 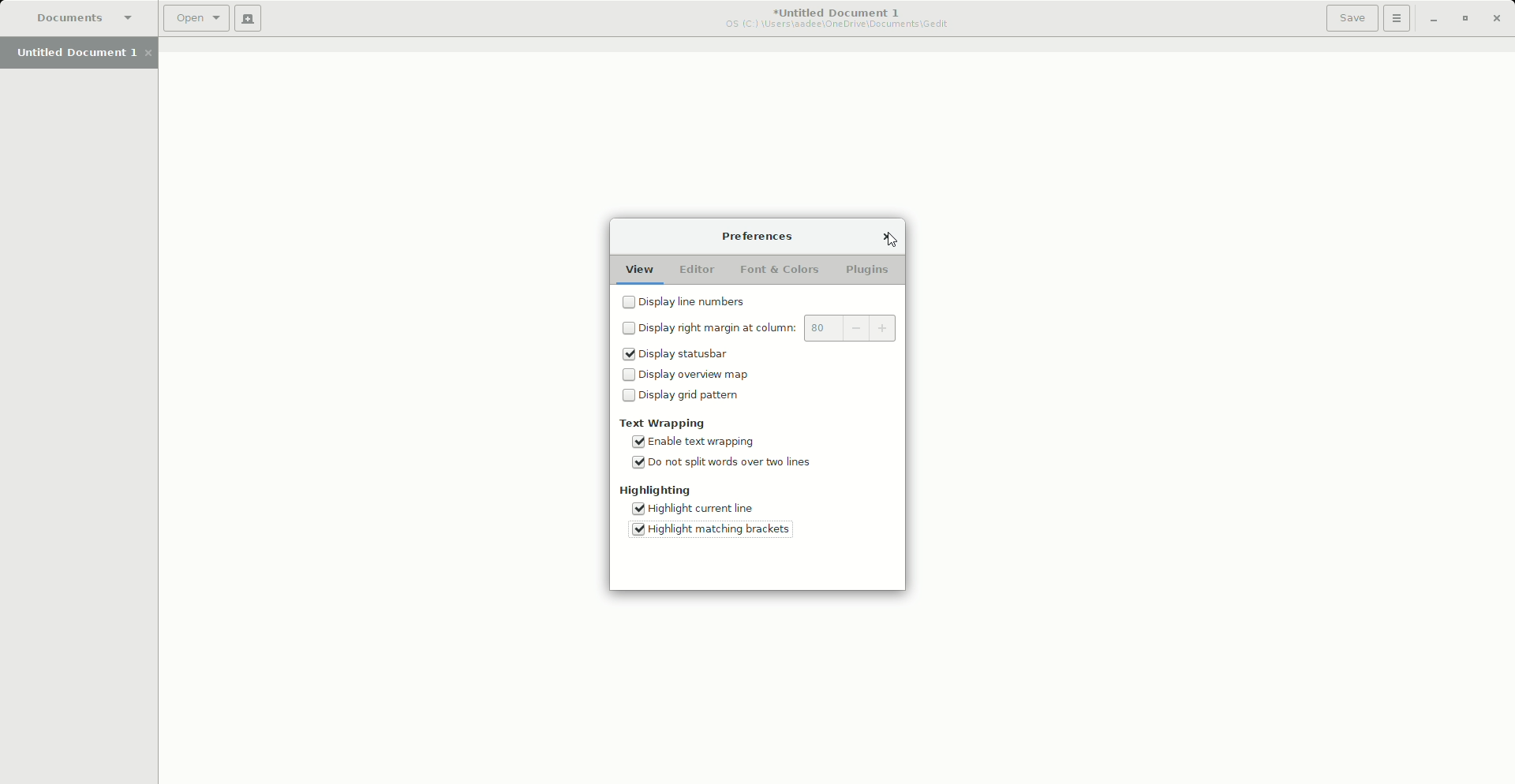 What do you see at coordinates (653, 491) in the screenshot?
I see `Highlighting` at bounding box center [653, 491].